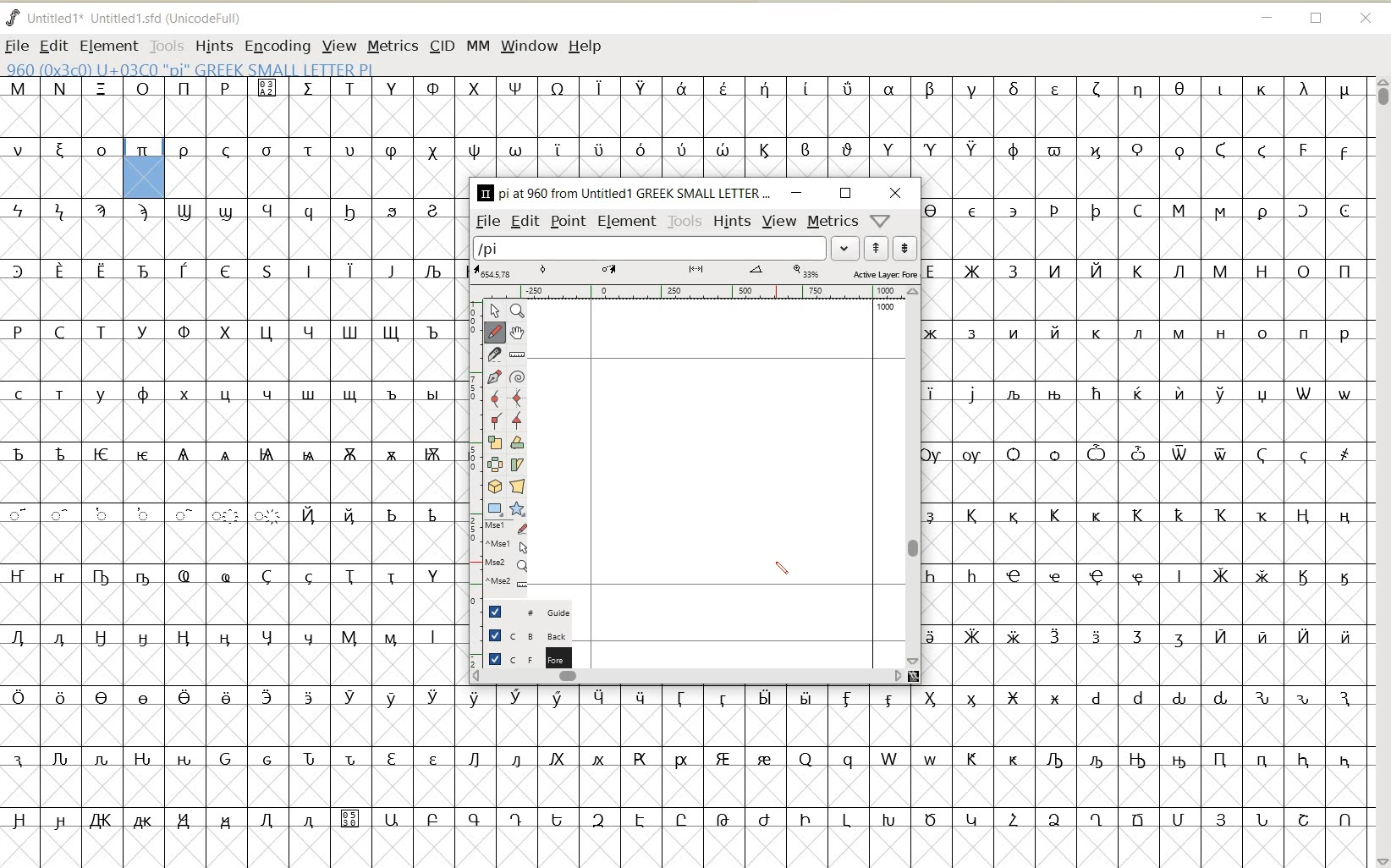  I want to click on ENCODING, so click(278, 45).